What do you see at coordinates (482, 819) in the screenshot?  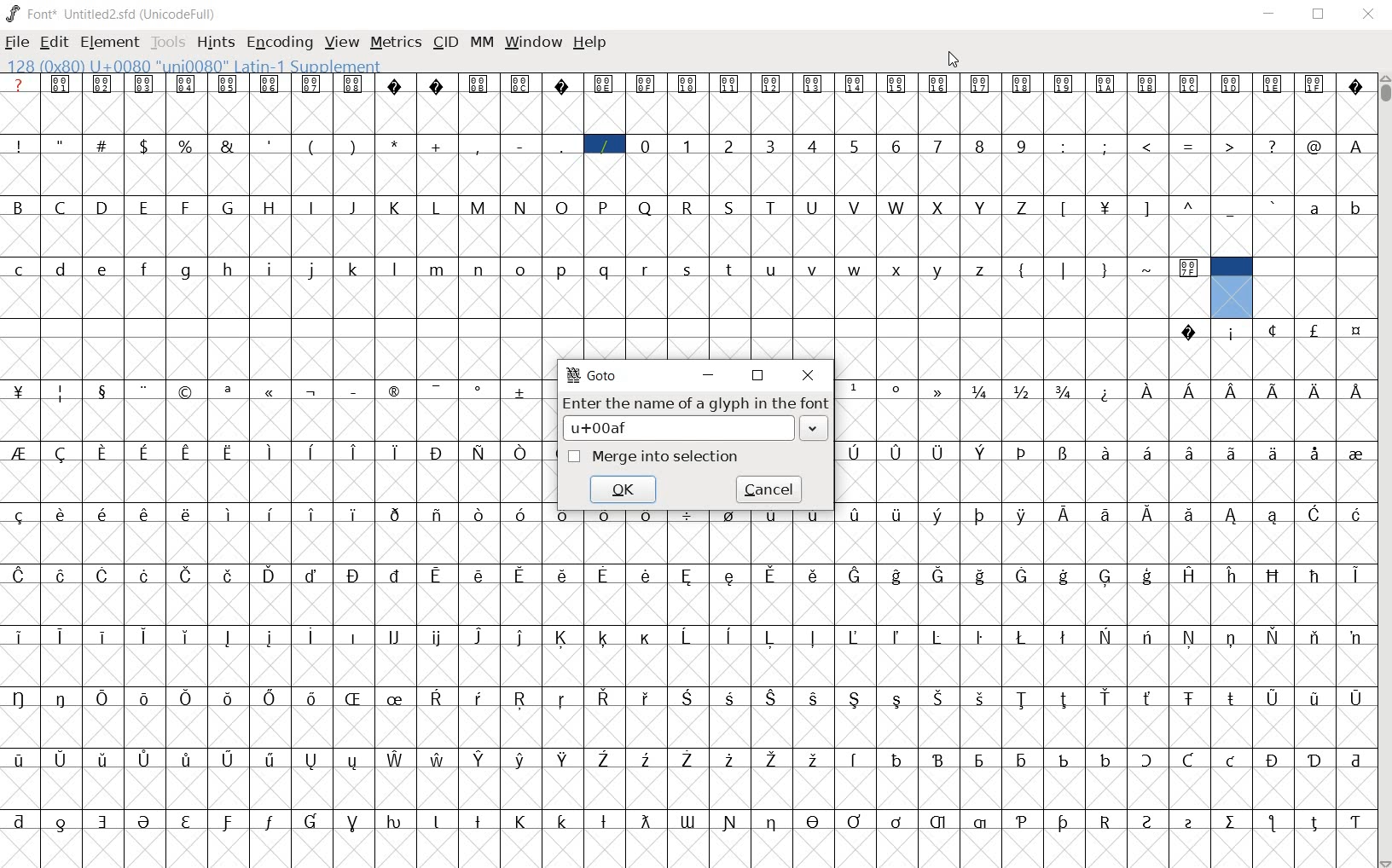 I see `Symbol` at bounding box center [482, 819].